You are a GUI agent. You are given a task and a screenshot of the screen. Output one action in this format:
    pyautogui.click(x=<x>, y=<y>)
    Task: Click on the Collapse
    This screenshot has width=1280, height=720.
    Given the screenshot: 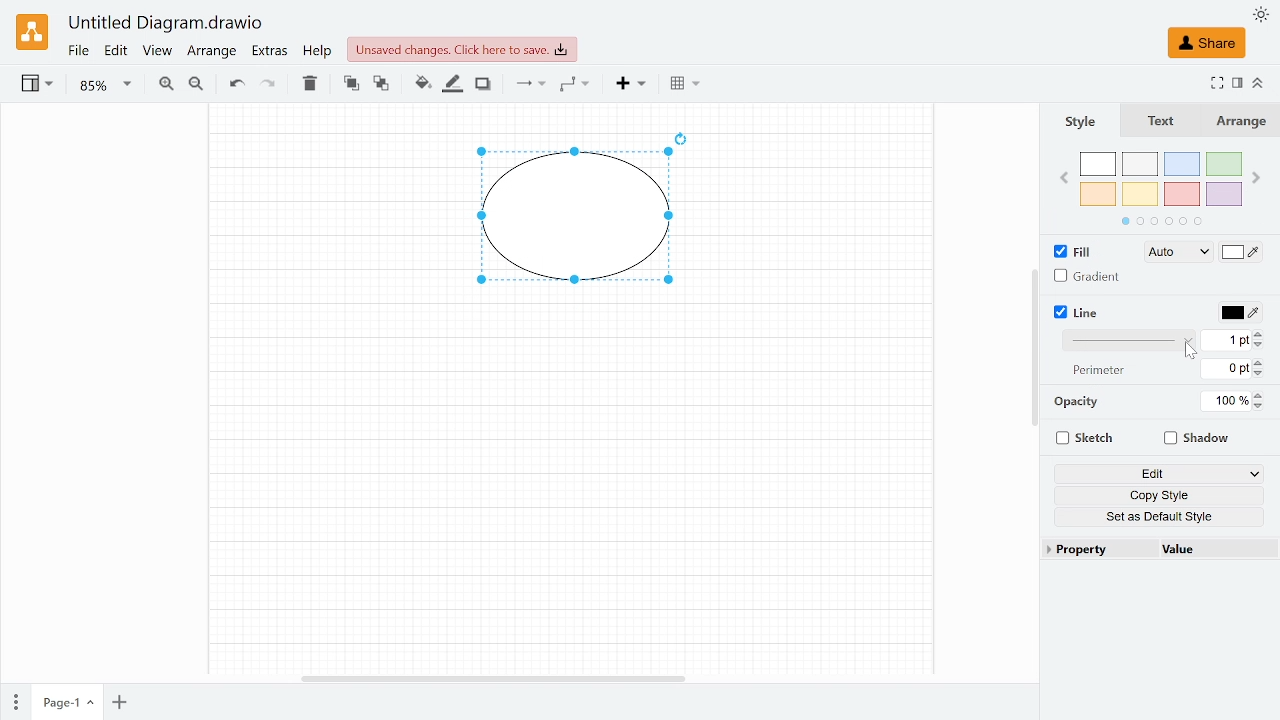 What is the action you would take?
    pyautogui.click(x=1256, y=82)
    